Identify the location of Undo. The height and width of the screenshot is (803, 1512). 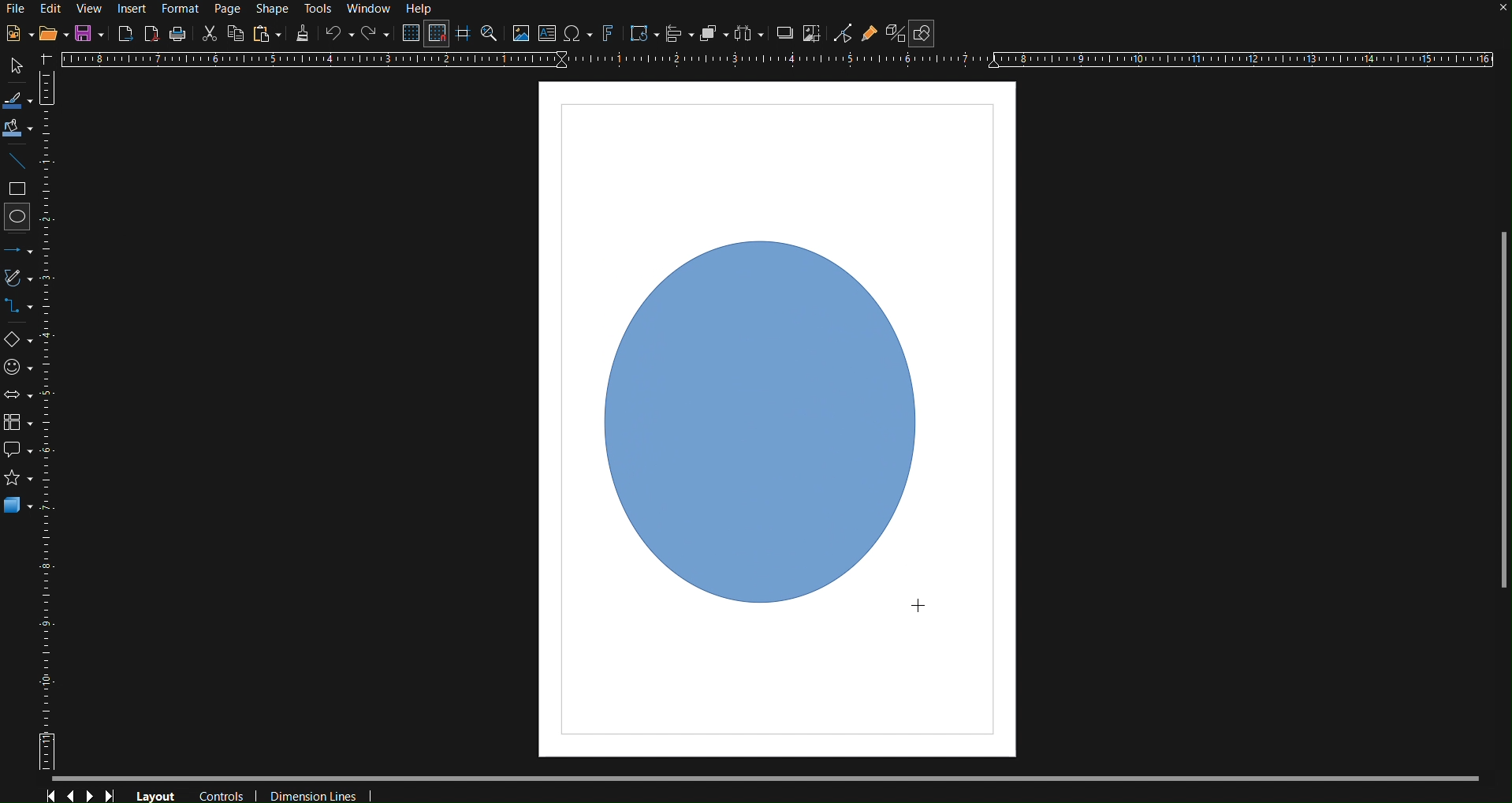
(339, 35).